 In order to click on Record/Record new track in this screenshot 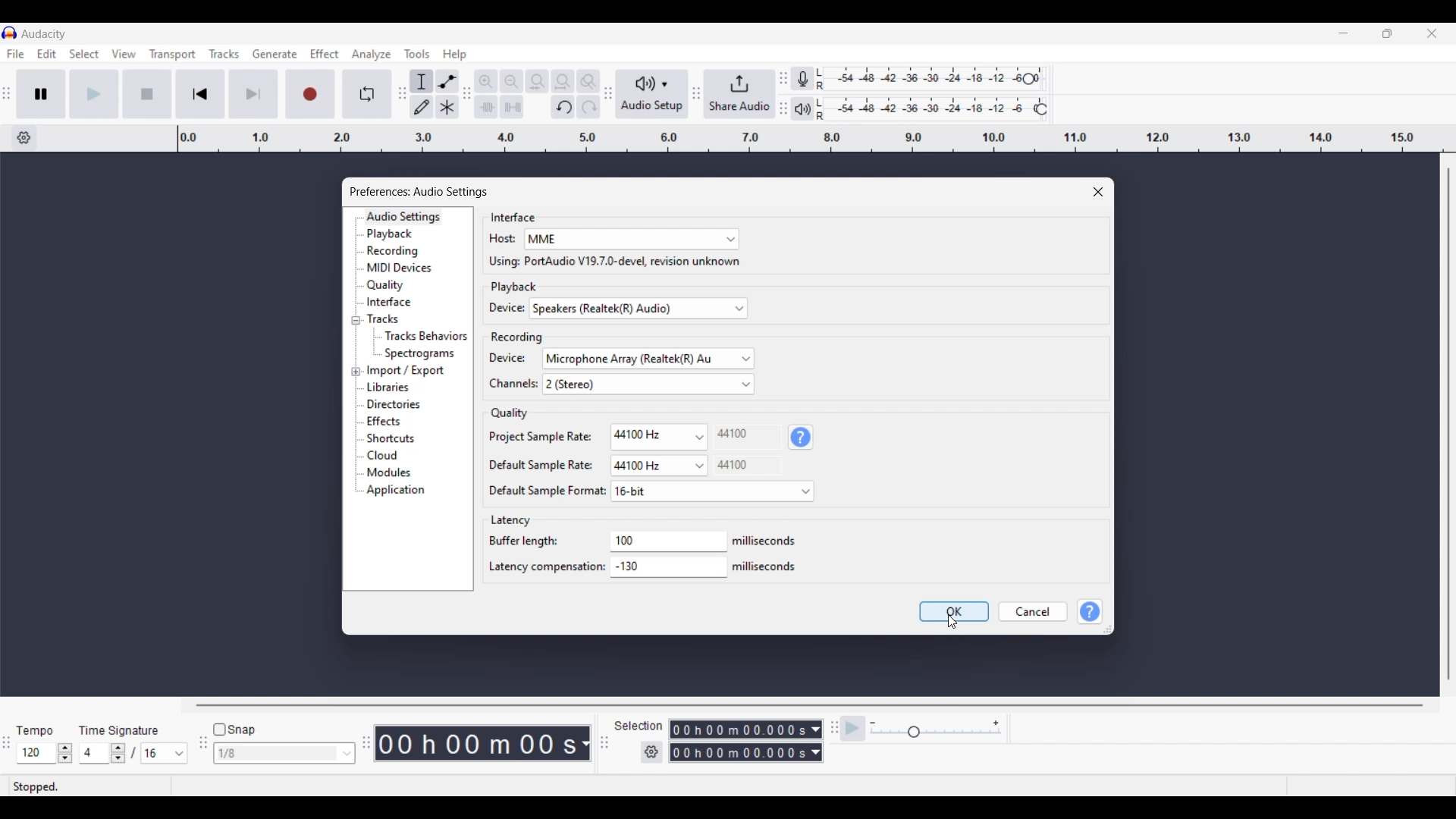, I will do `click(311, 93)`.